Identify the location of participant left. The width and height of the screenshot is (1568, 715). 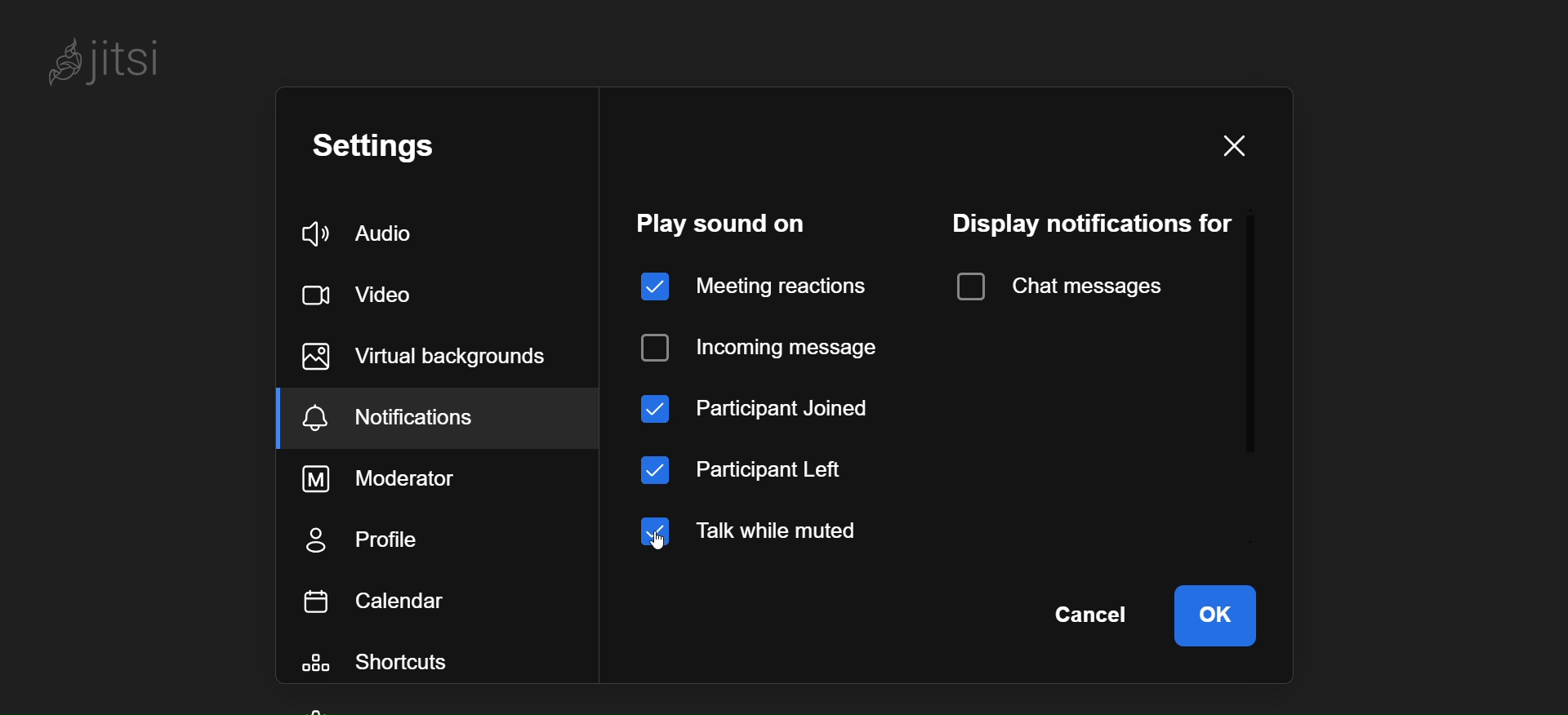
(755, 472).